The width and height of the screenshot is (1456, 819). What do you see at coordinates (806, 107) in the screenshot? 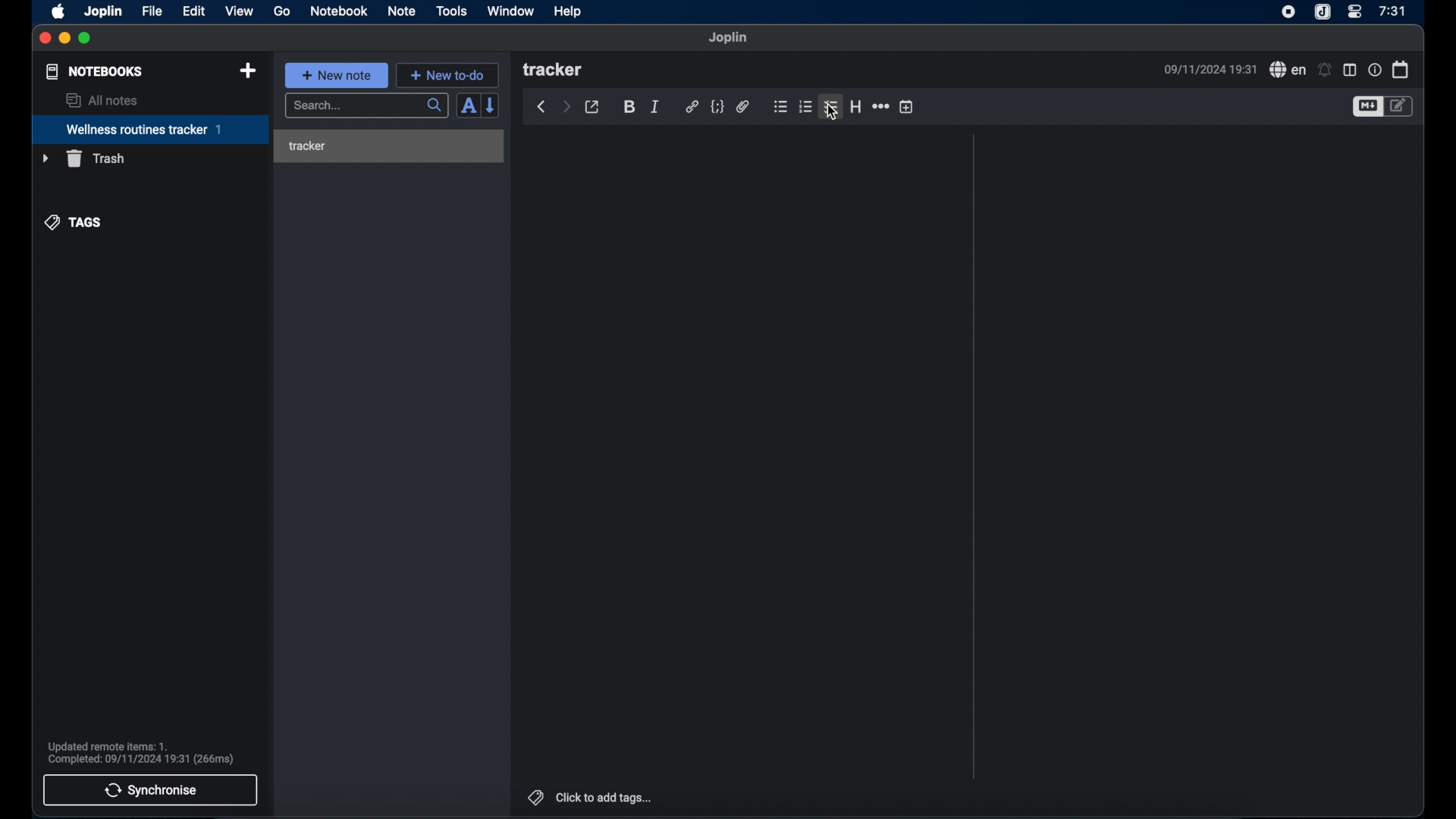
I see `numbered list` at bounding box center [806, 107].